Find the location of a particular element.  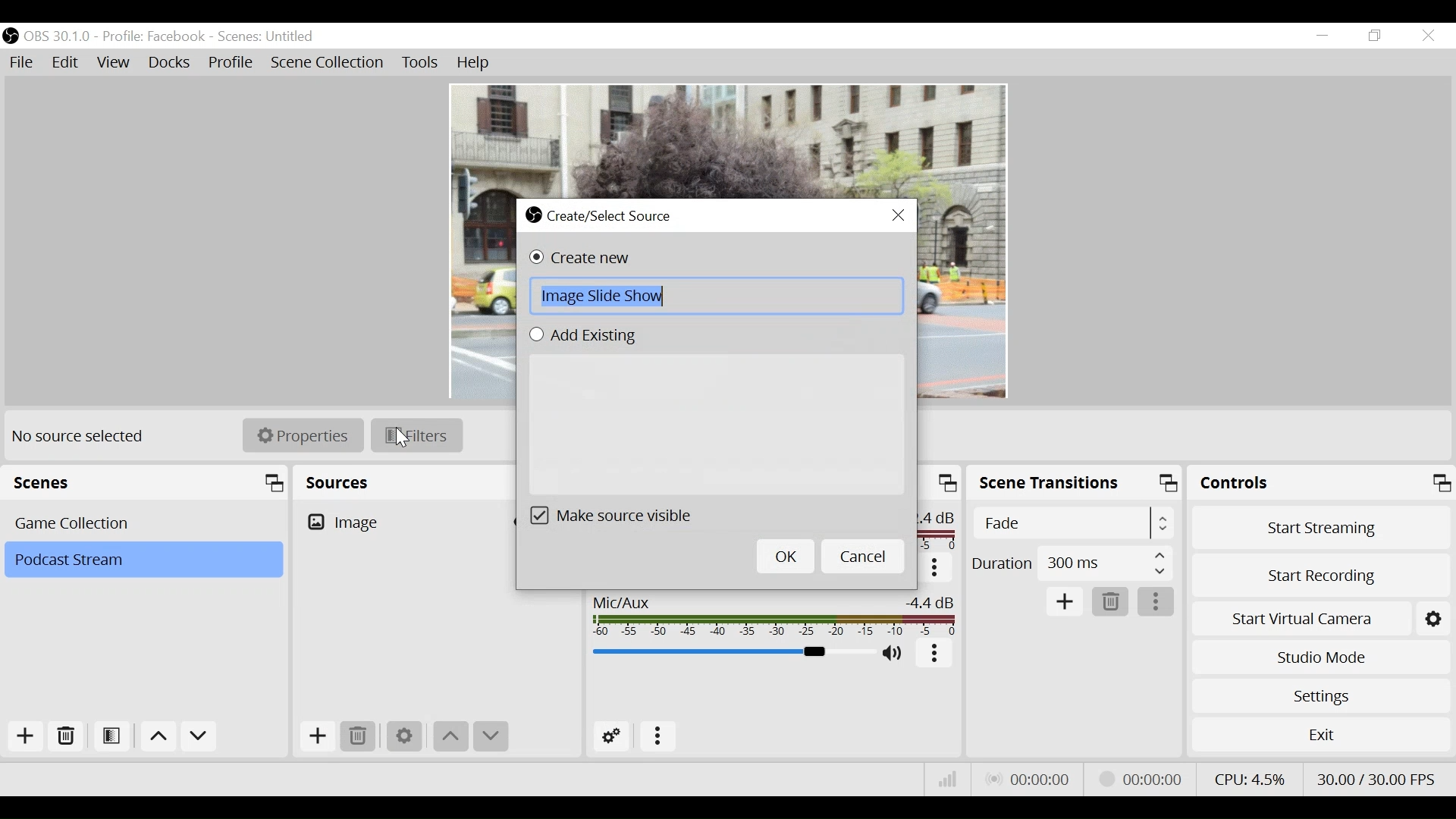

Controls is located at coordinates (1321, 485).